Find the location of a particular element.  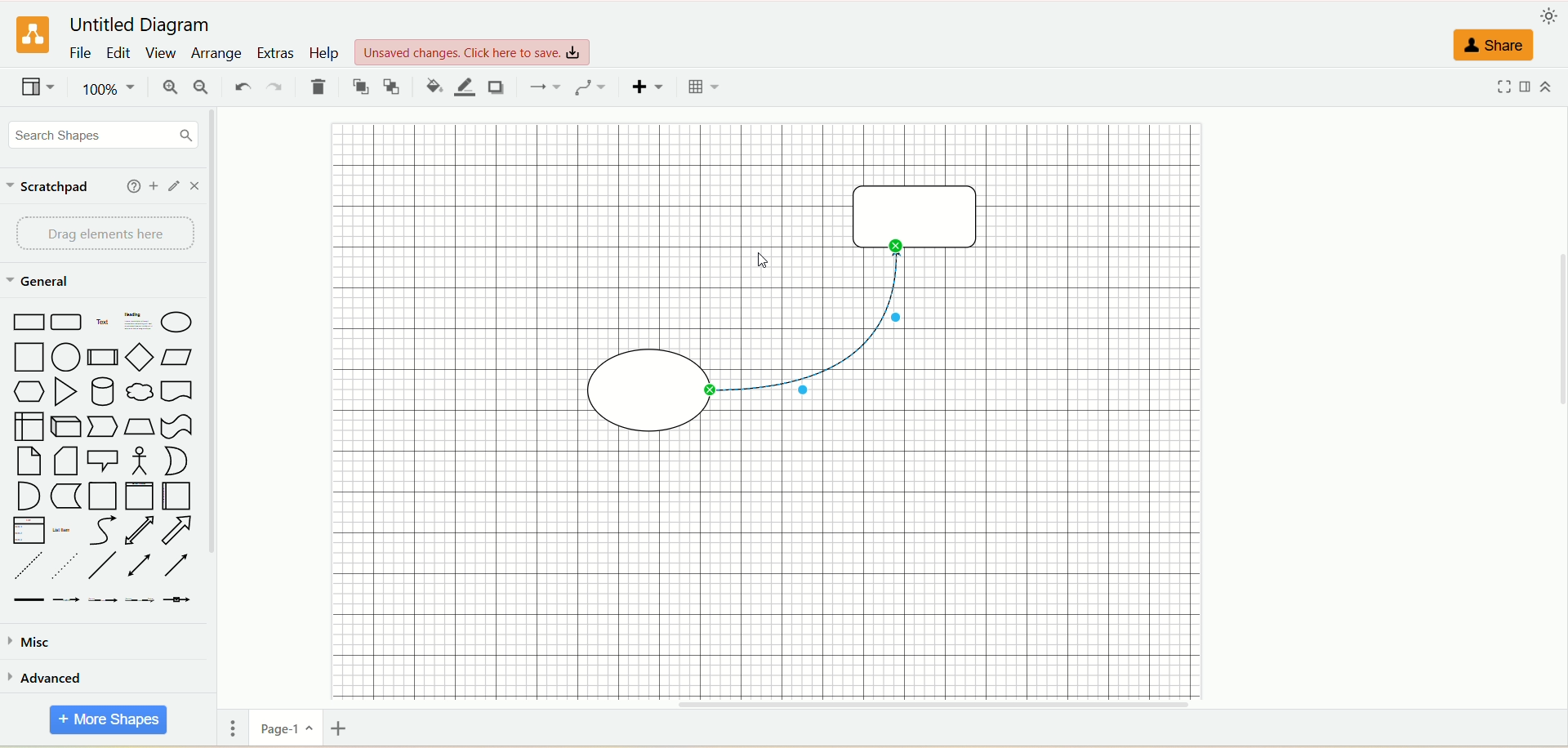

expand/collapse is located at coordinates (1546, 89).